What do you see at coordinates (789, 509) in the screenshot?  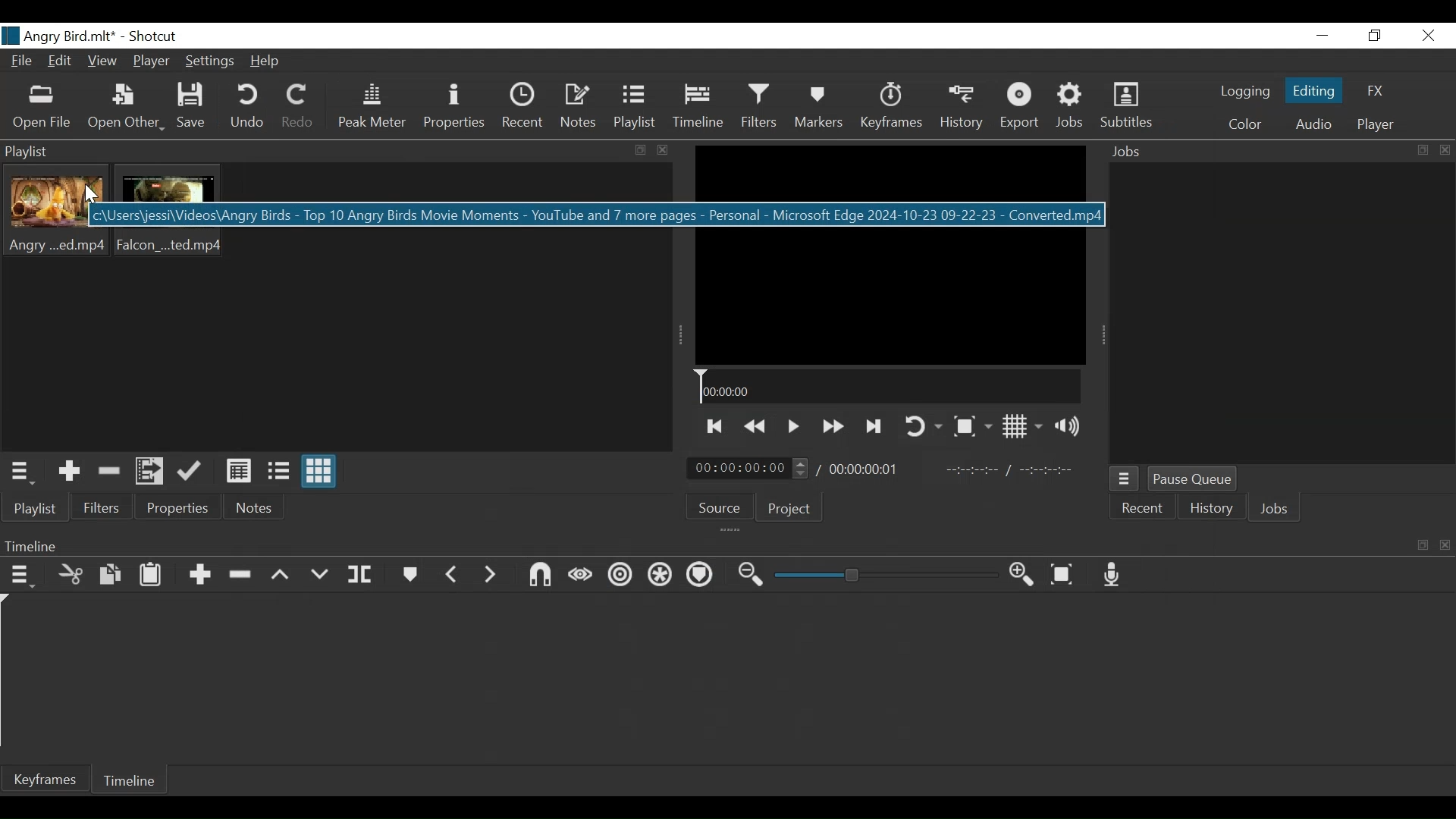 I see `Project` at bounding box center [789, 509].